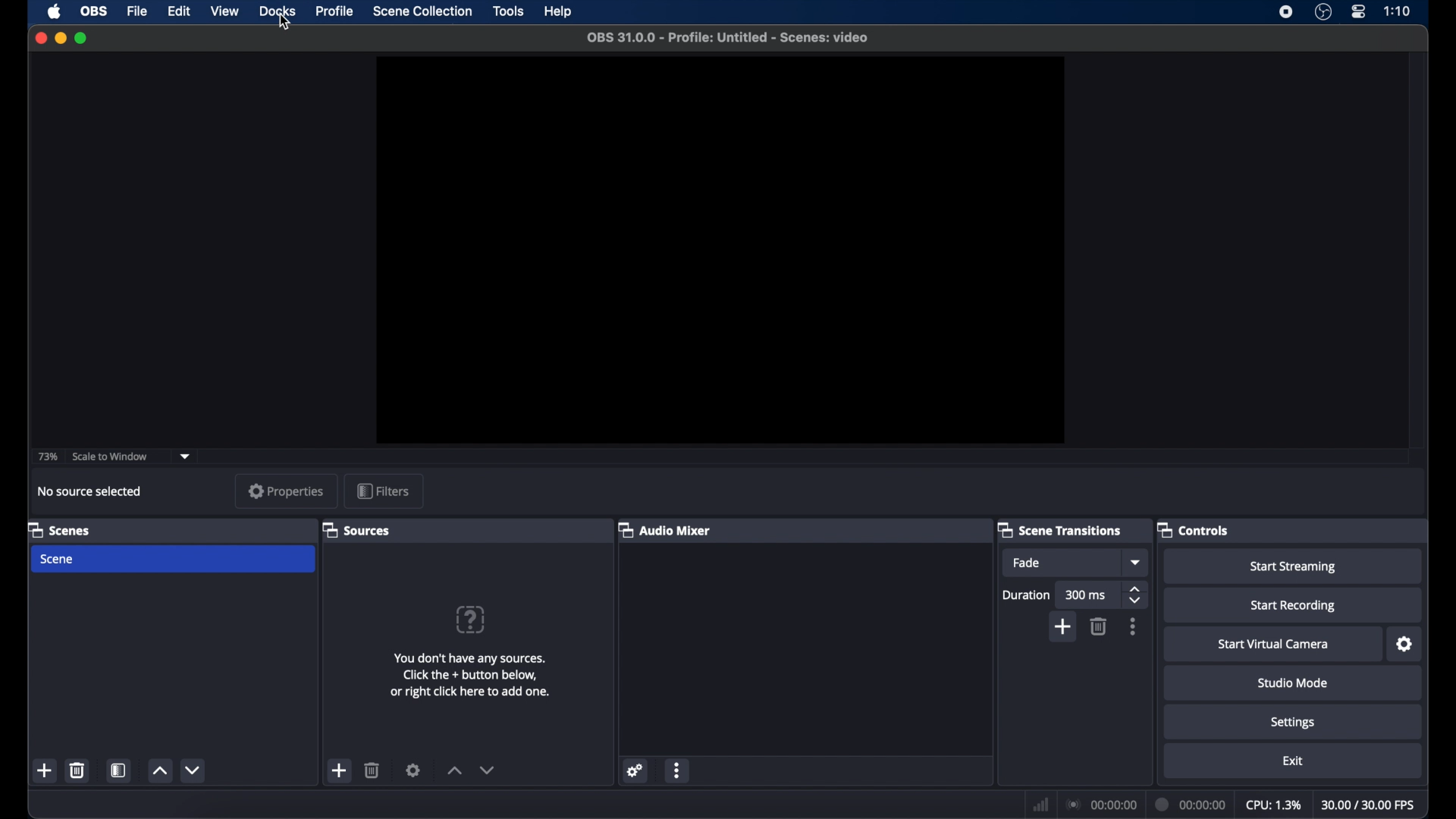 The width and height of the screenshot is (1456, 819). I want to click on docks, so click(277, 10).